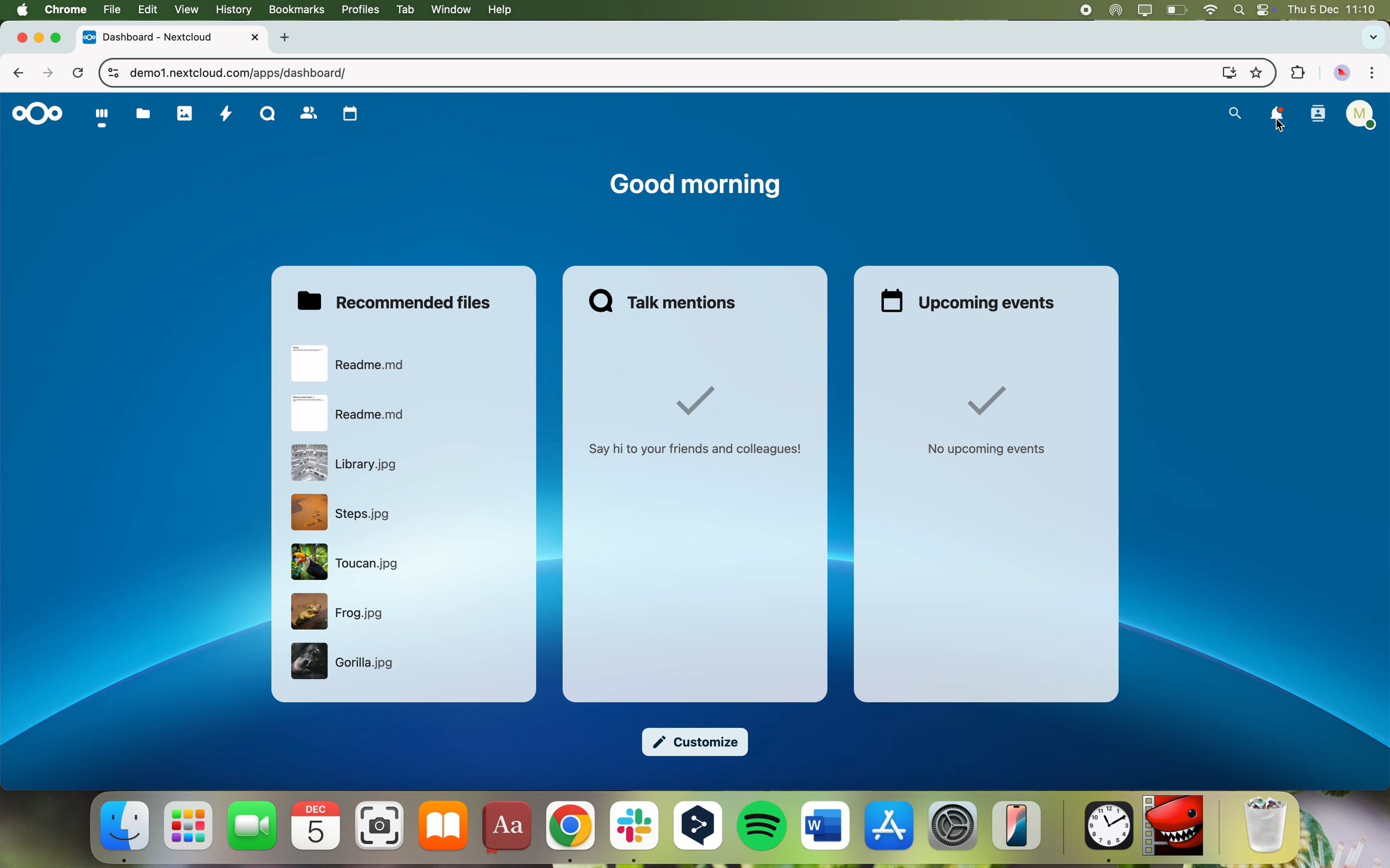  Describe the element at coordinates (253, 826) in the screenshot. I see `FaceTime` at that location.